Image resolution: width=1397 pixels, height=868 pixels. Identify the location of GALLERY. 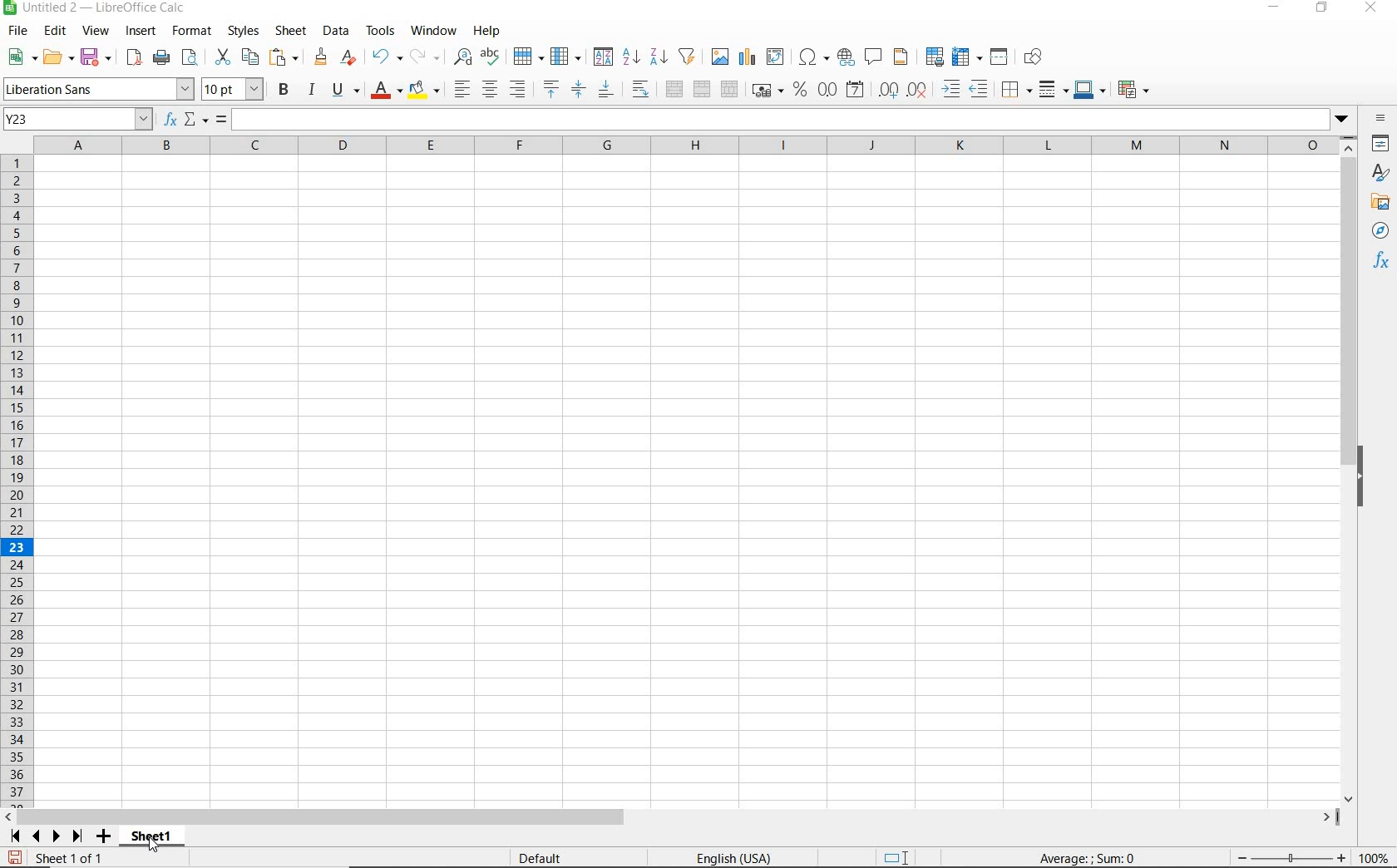
(1380, 205).